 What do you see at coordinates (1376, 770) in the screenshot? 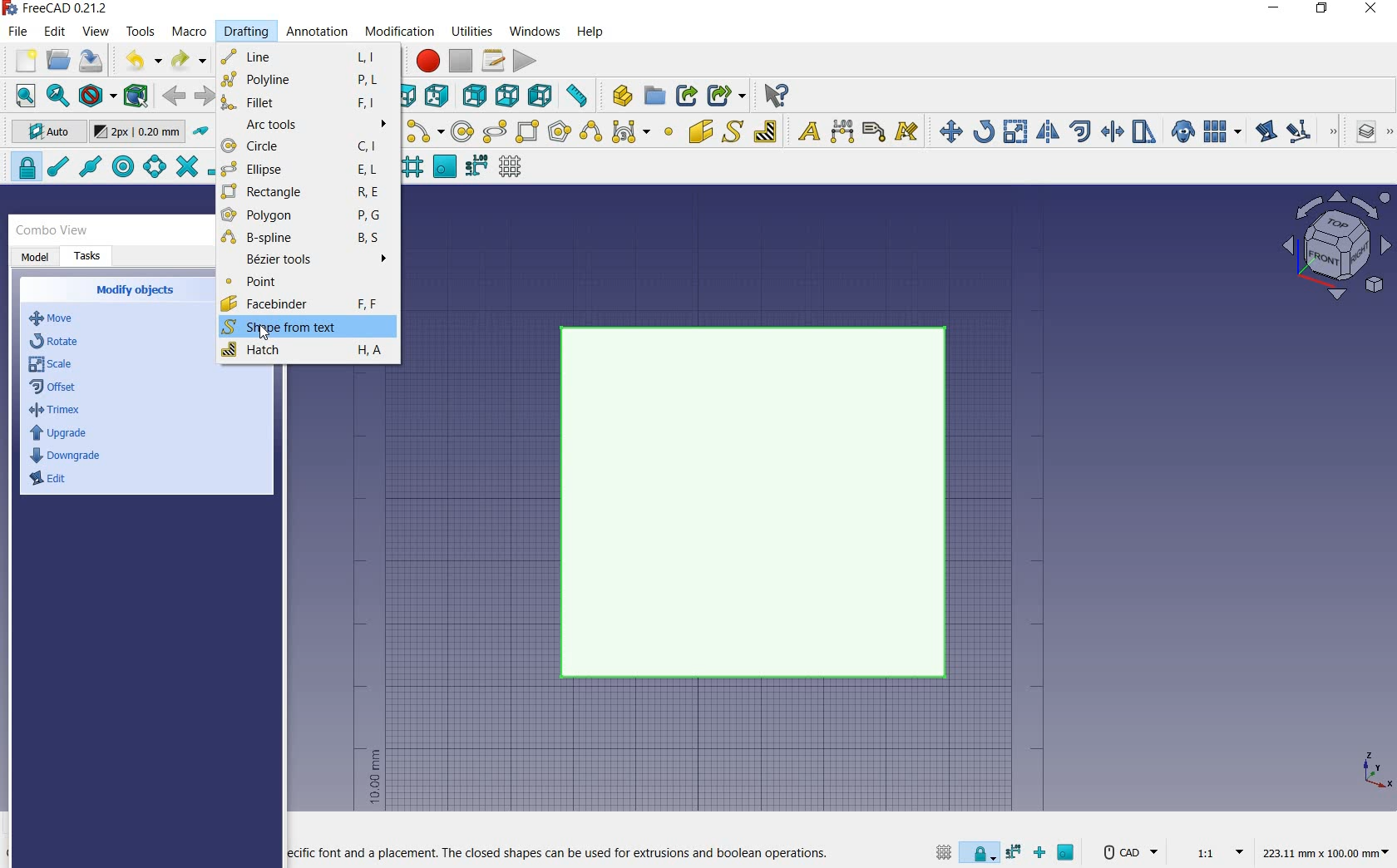
I see `xyz point` at bounding box center [1376, 770].